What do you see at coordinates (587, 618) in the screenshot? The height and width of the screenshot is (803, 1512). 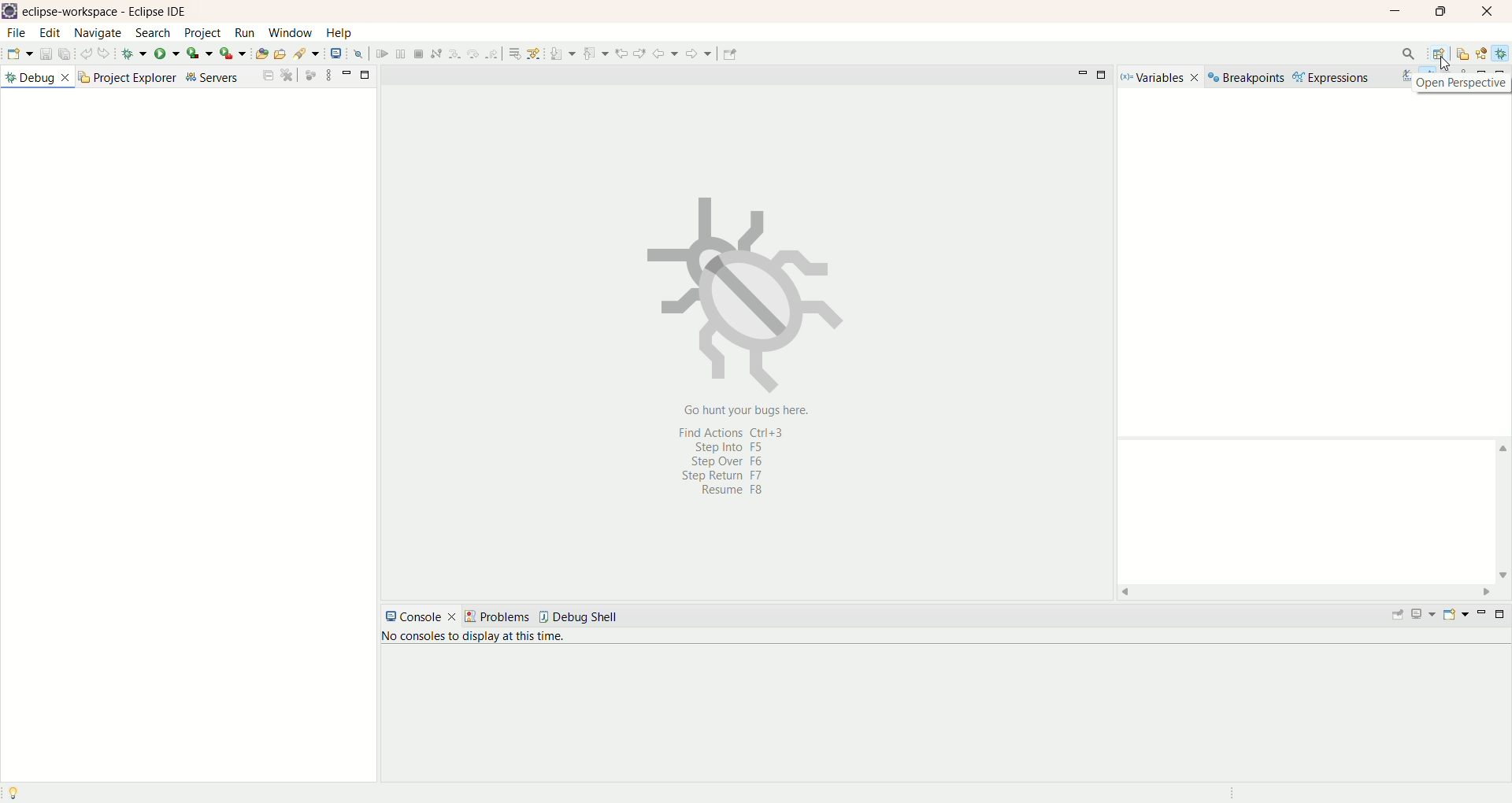 I see `debug shell` at bounding box center [587, 618].